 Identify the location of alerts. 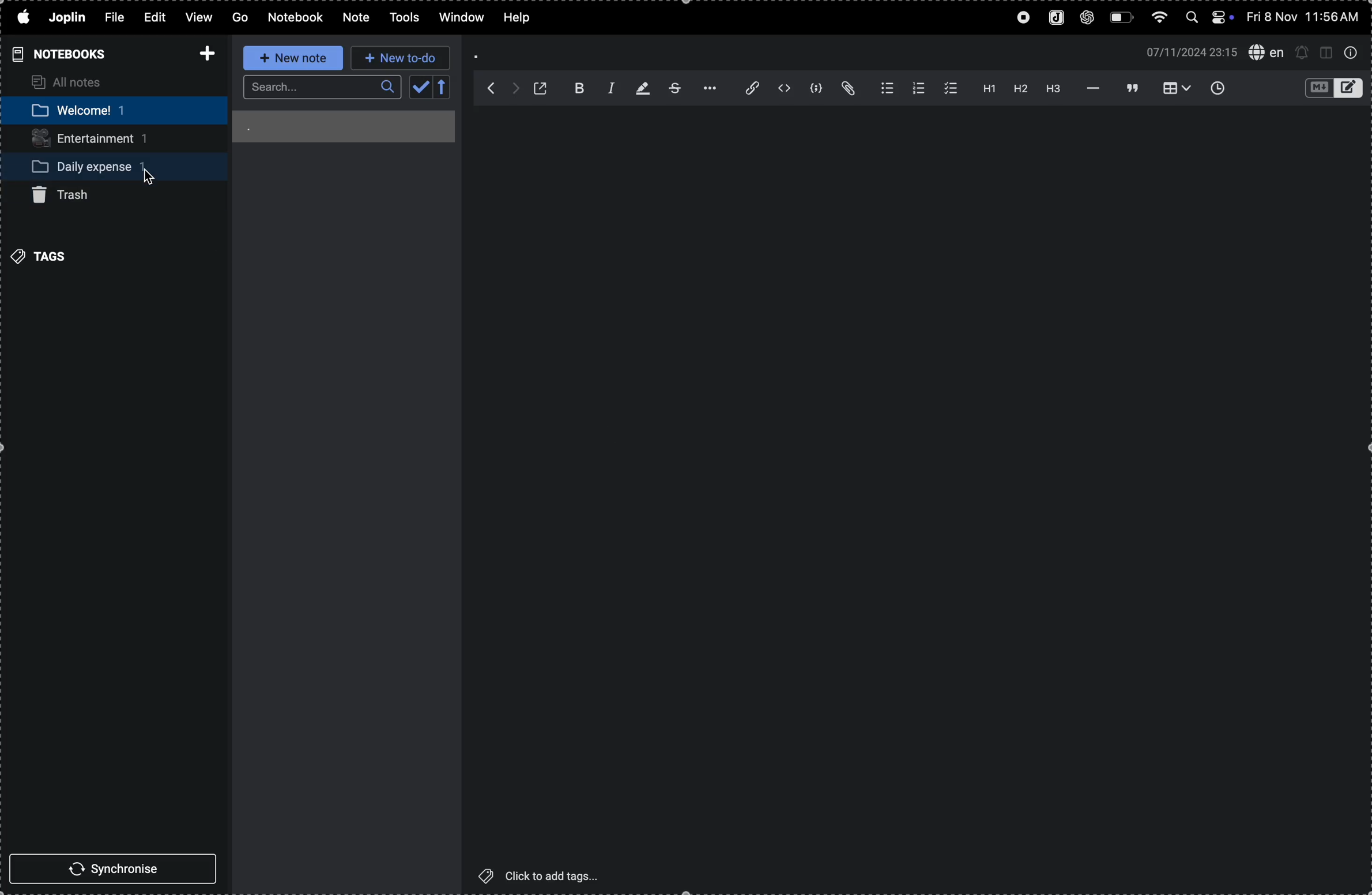
(1302, 52).